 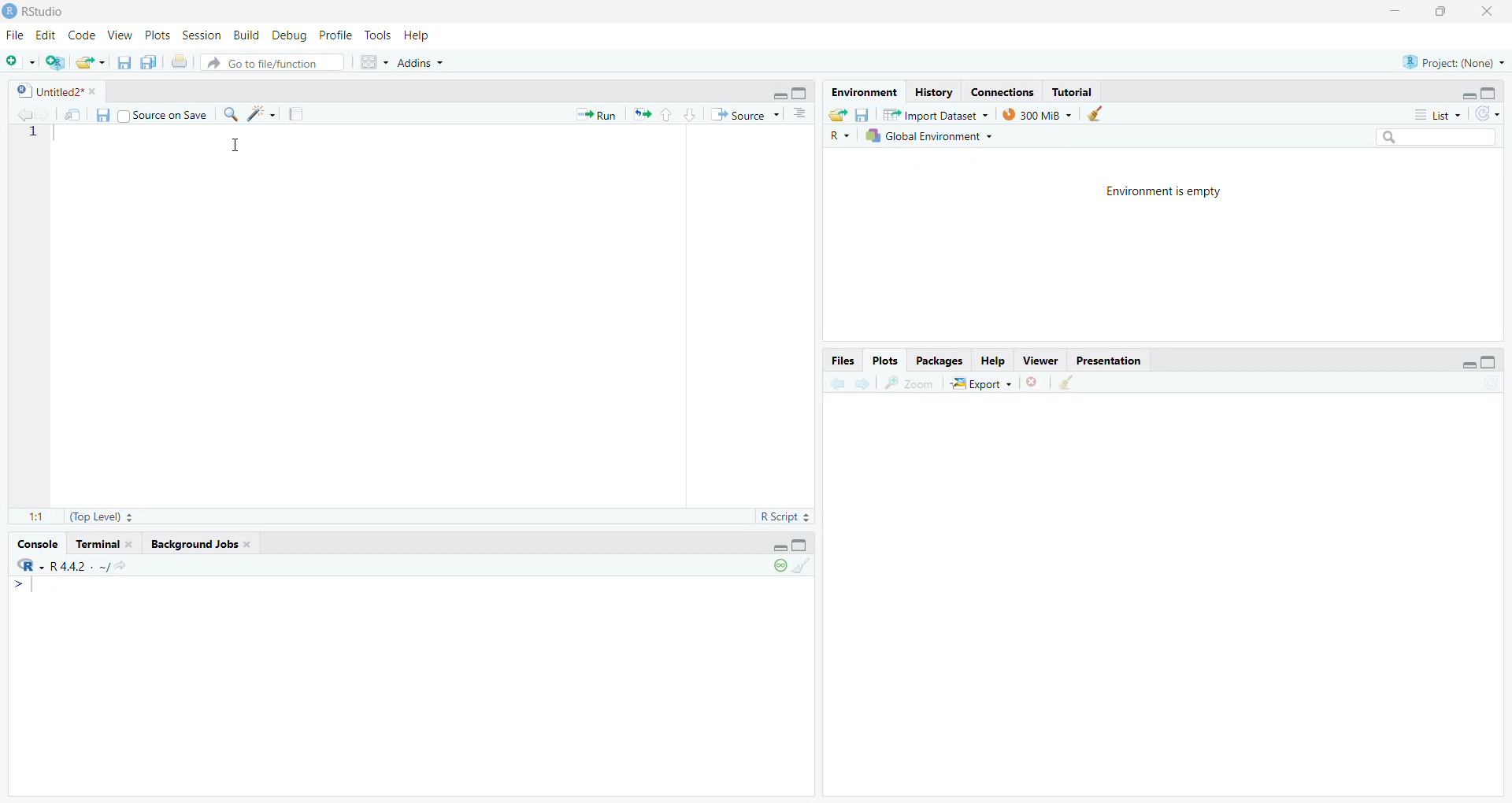 What do you see at coordinates (103, 546) in the screenshot?
I see `terminal` at bounding box center [103, 546].